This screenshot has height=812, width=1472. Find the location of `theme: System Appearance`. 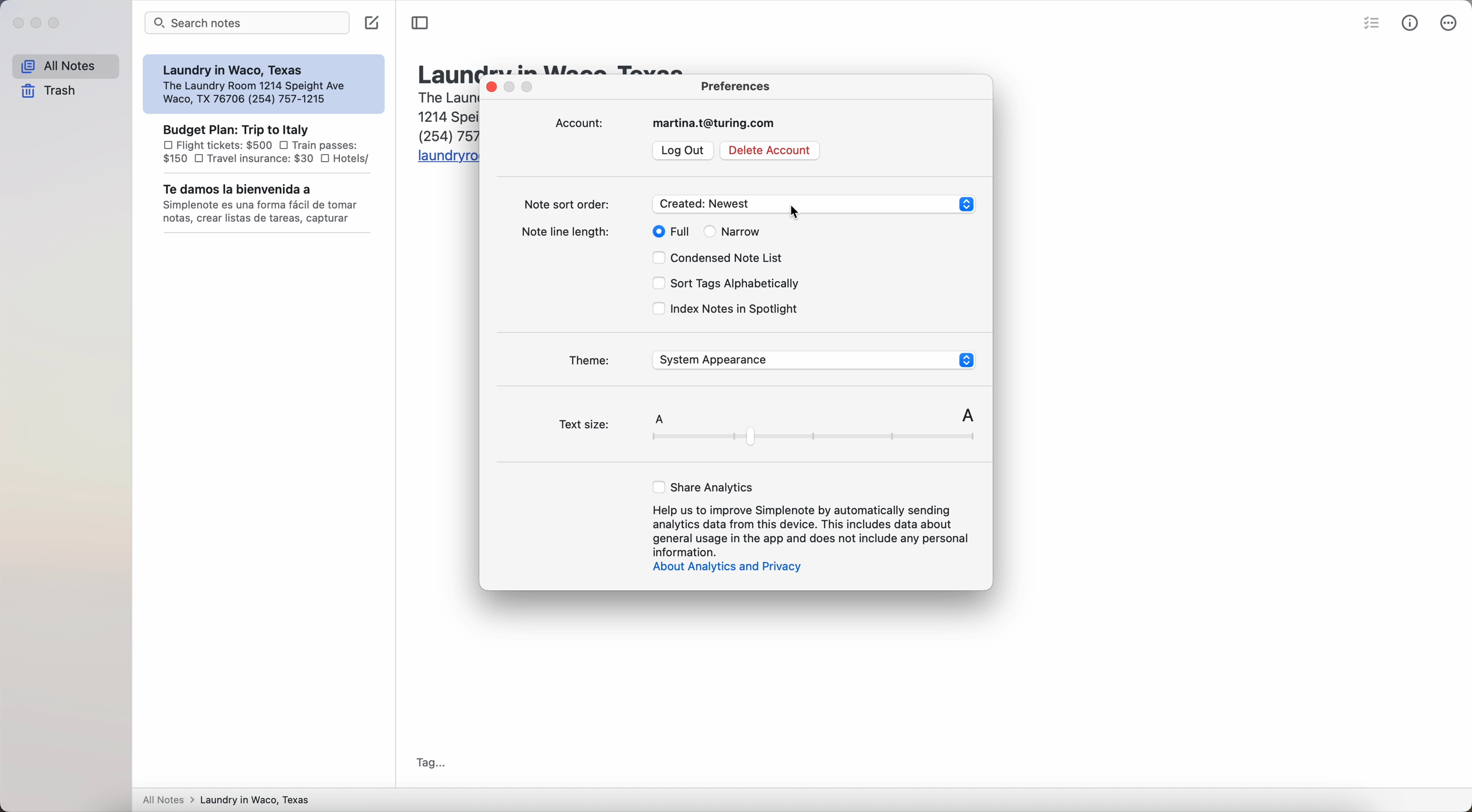

theme: System Appearance is located at coordinates (771, 359).